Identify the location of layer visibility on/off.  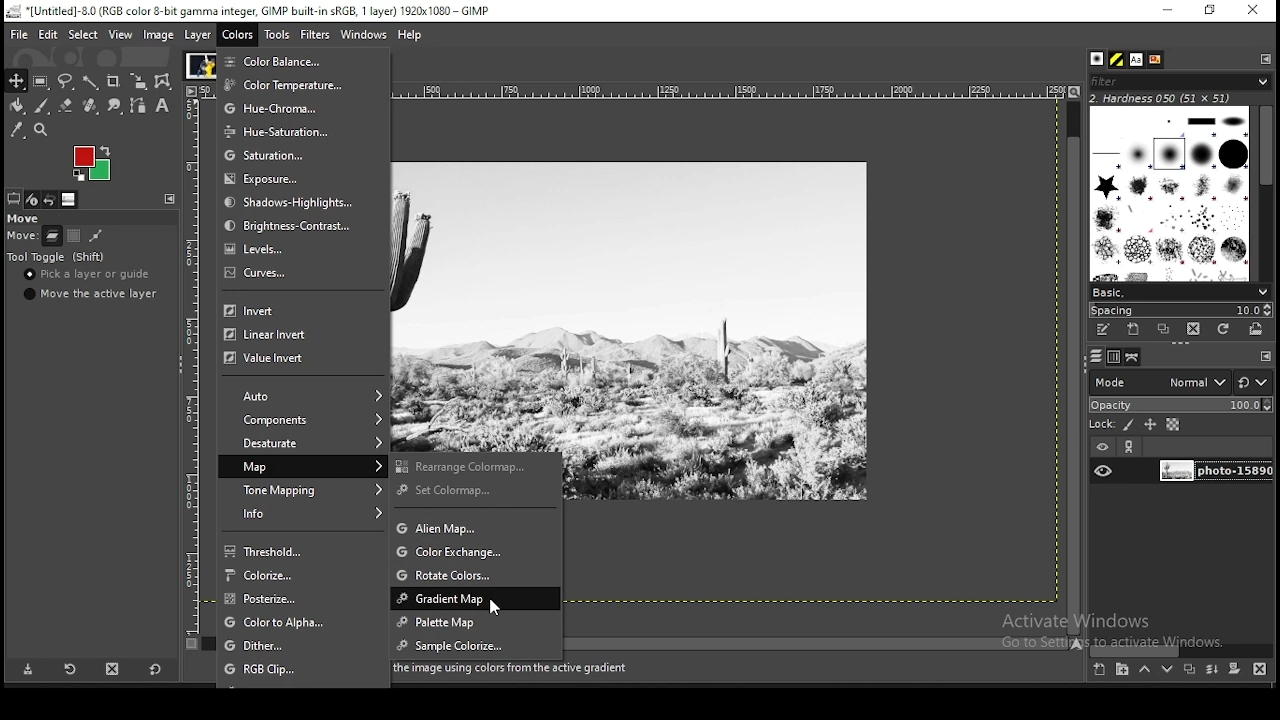
(1103, 472).